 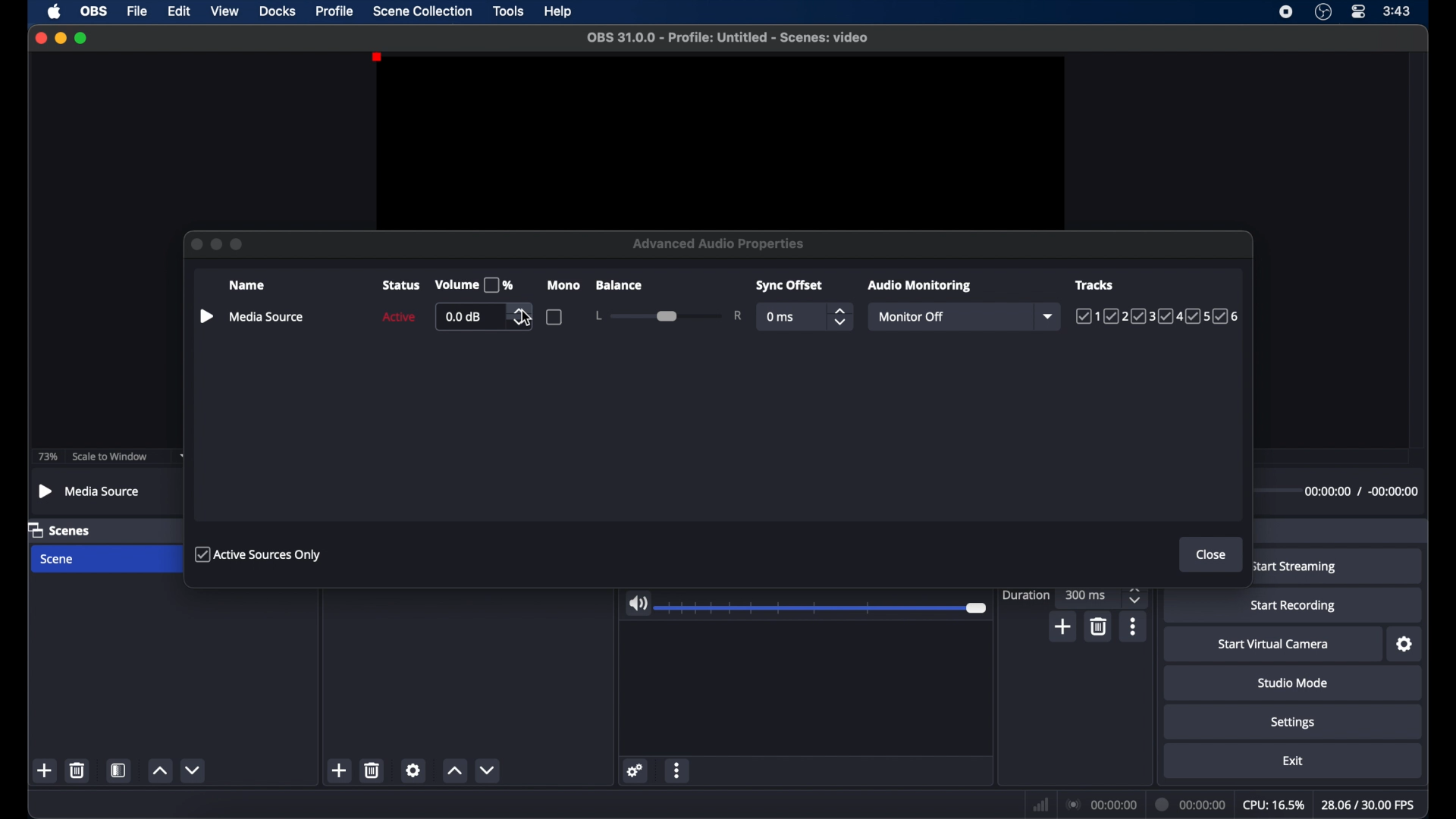 I want to click on file, so click(x=138, y=11).